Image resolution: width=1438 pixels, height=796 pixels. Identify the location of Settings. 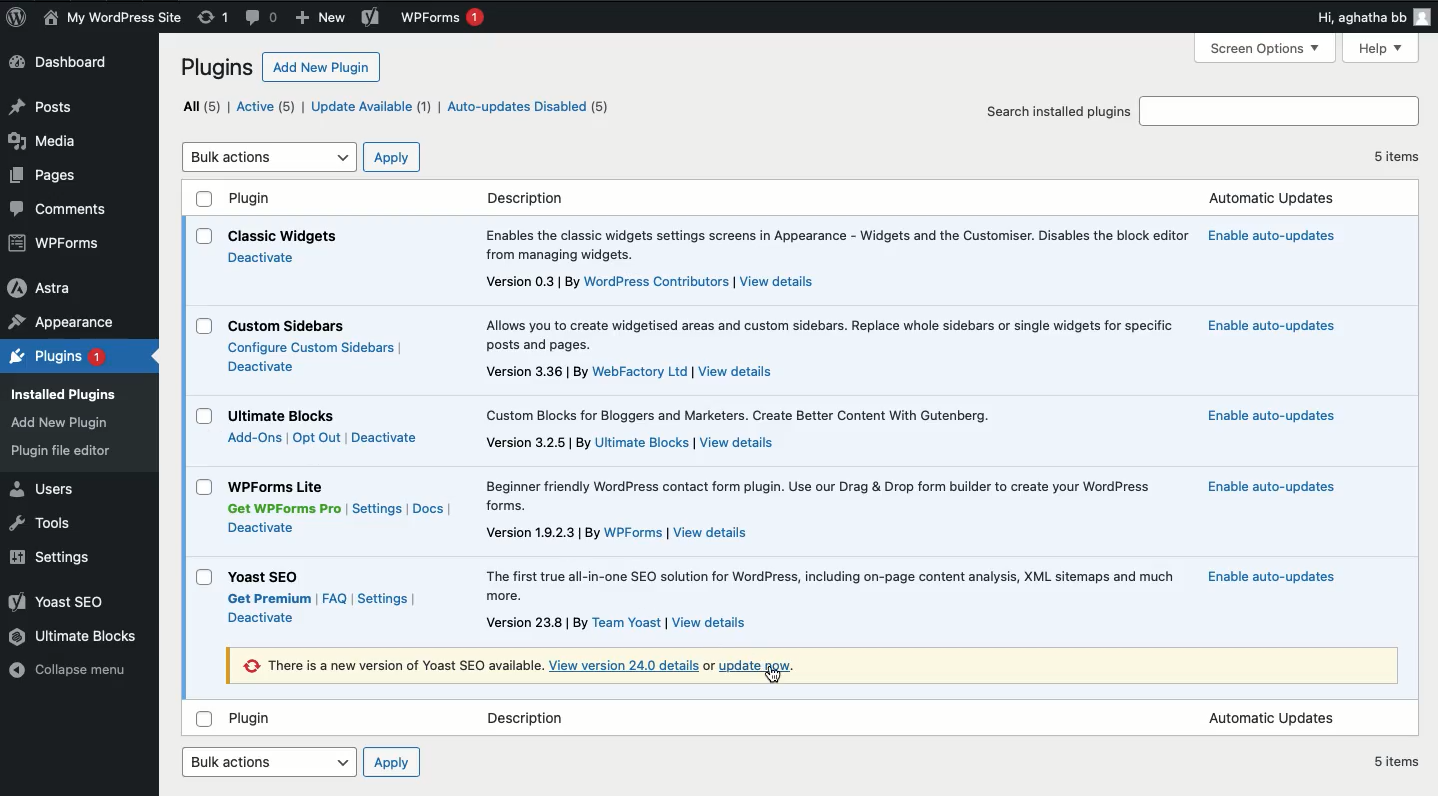
(378, 508).